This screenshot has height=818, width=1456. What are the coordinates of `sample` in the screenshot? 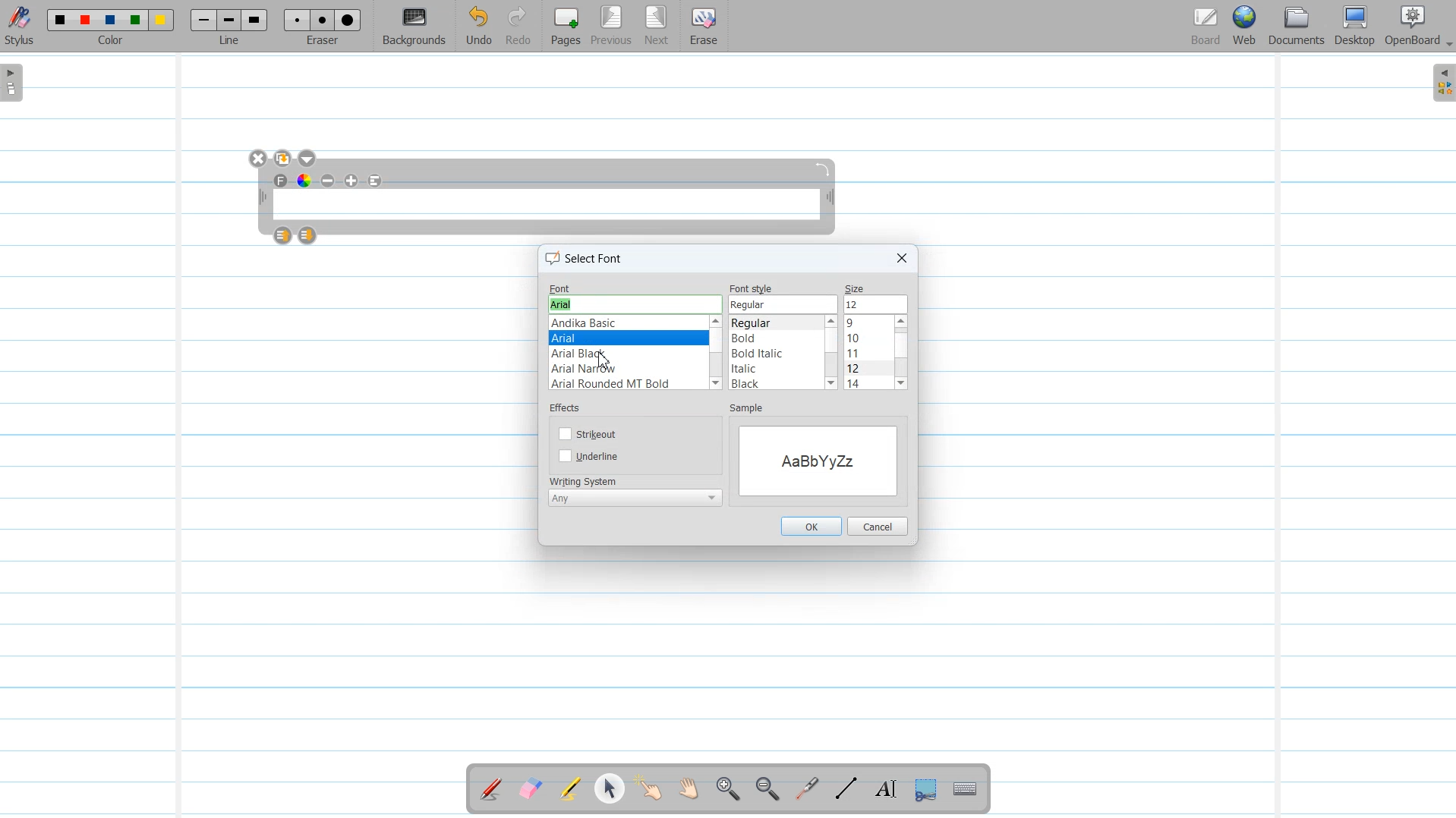 It's located at (747, 409).